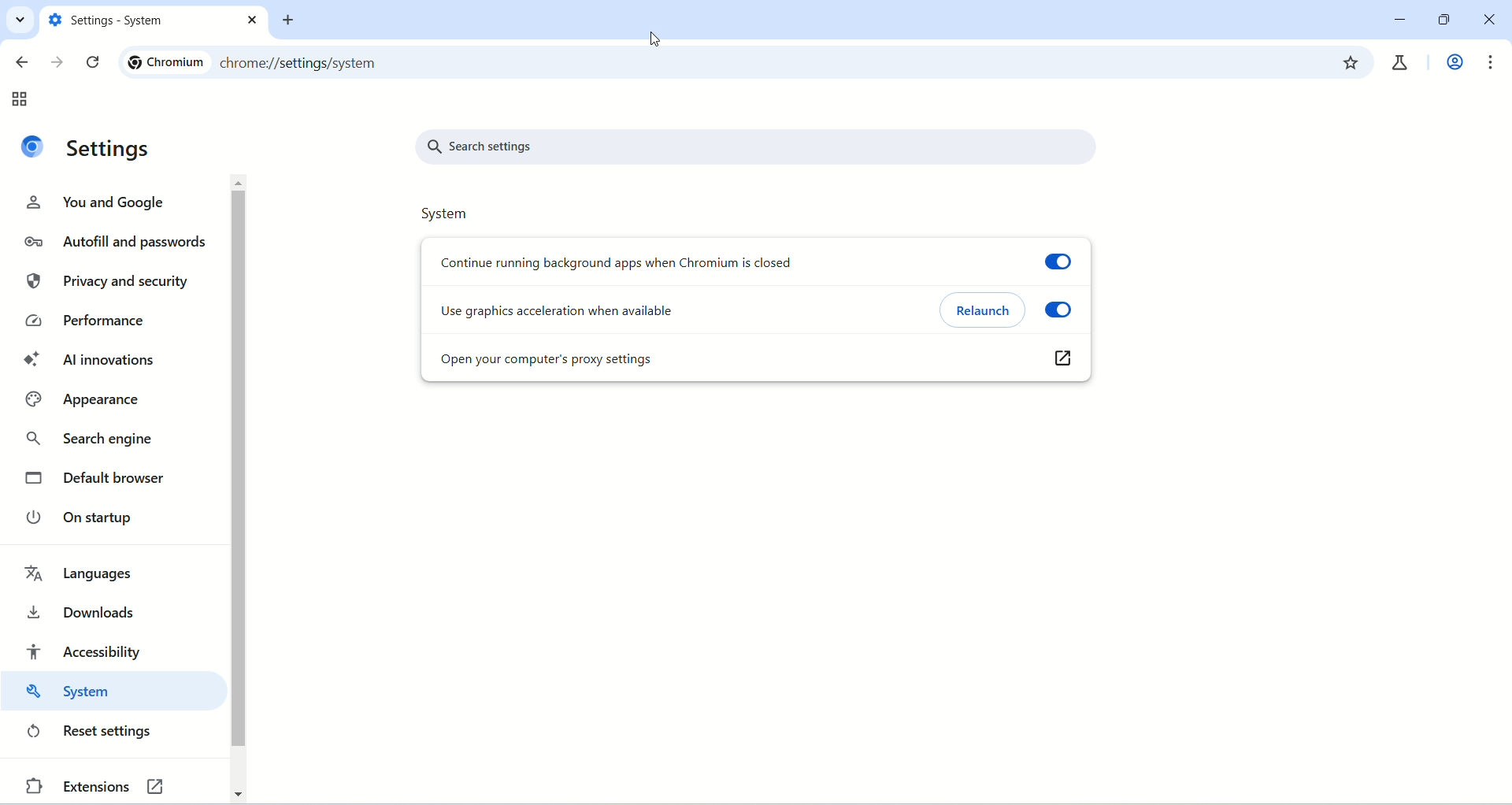  What do you see at coordinates (139, 20) in the screenshot?
I see `setting - system` at bounding box center [139, 20].